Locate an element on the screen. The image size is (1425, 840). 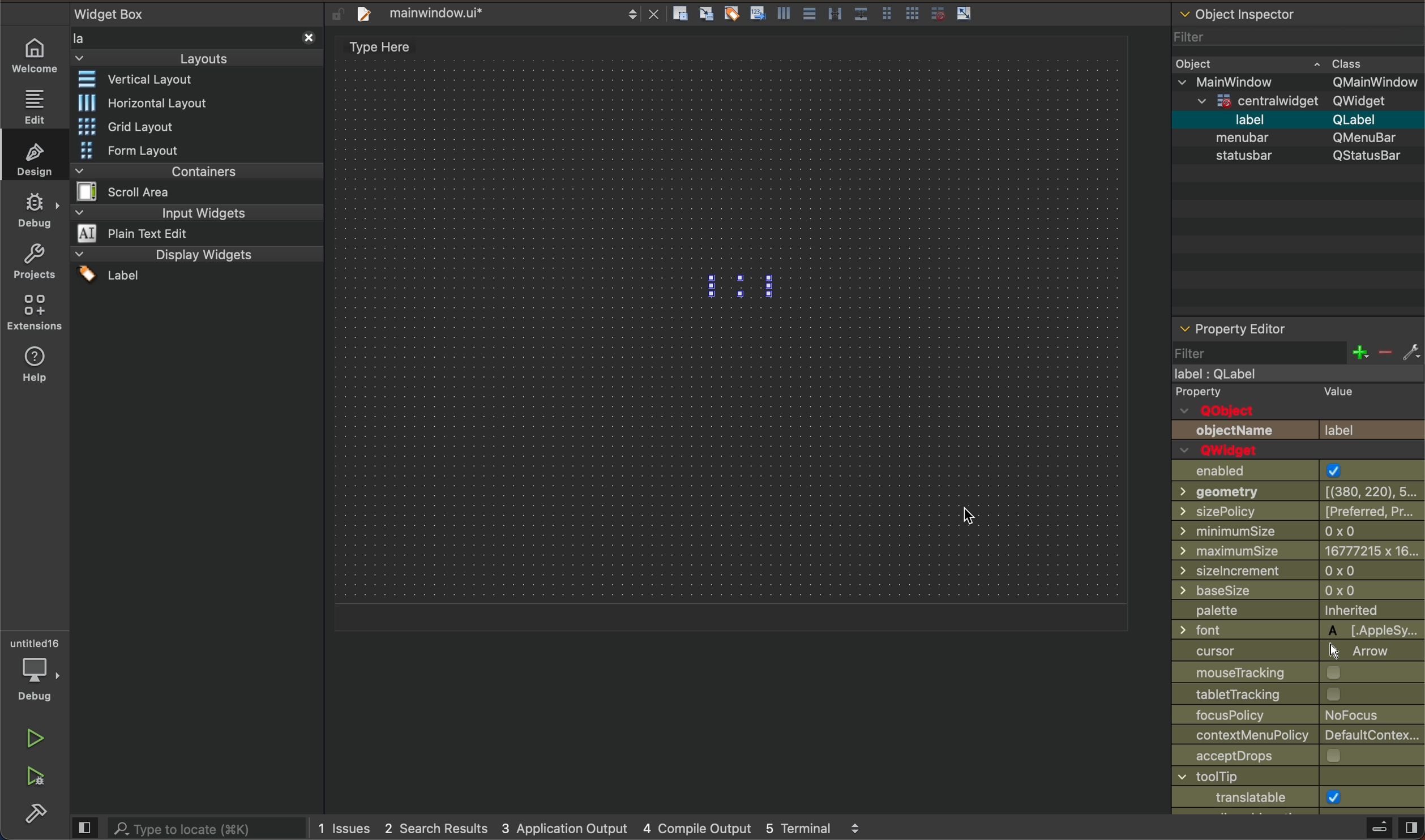
label is located at coordinates (1234, 372).